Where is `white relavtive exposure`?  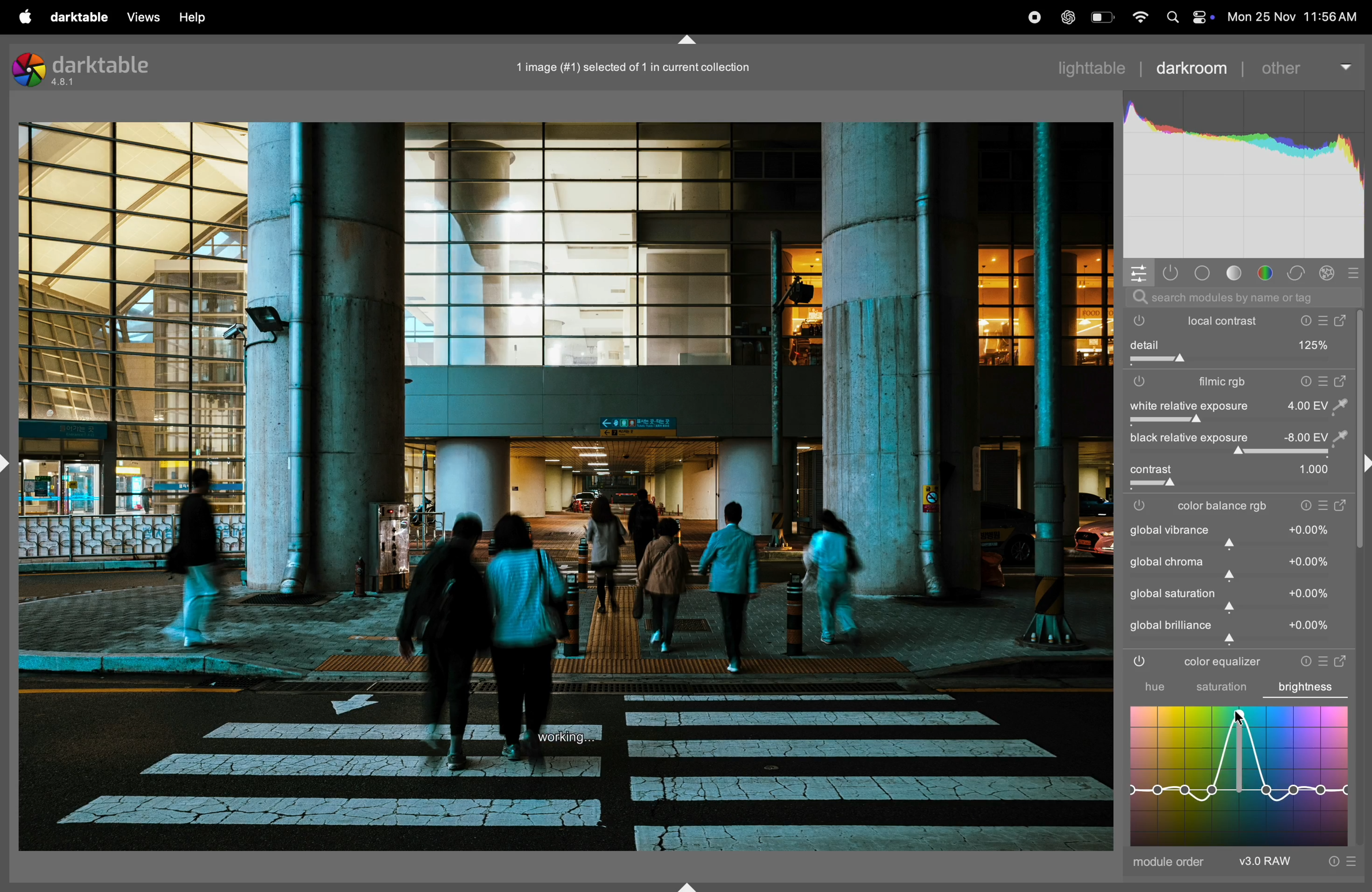
white relavtive exposure is located at coordinates (1186, 406).